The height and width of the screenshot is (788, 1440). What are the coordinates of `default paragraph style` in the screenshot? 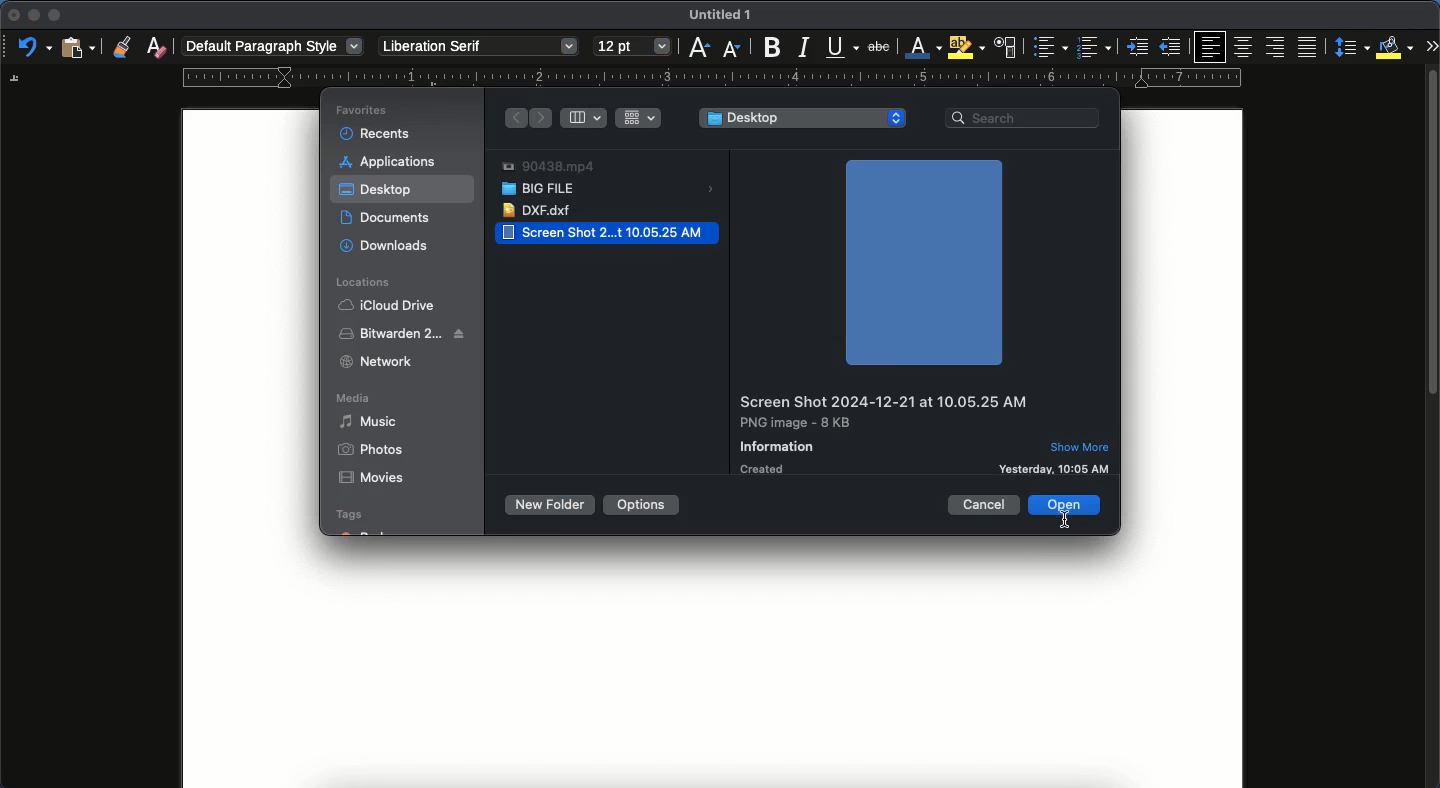 It's located at (275, 47).